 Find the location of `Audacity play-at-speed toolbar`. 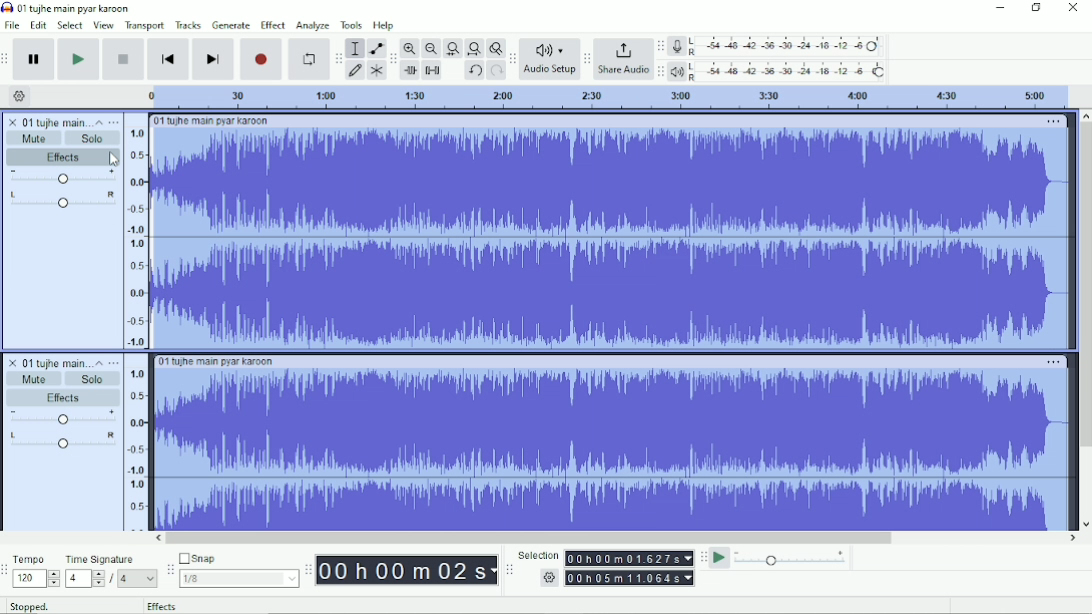

Audacity play-at-speed toolbar is located at coordinates (703, 557).